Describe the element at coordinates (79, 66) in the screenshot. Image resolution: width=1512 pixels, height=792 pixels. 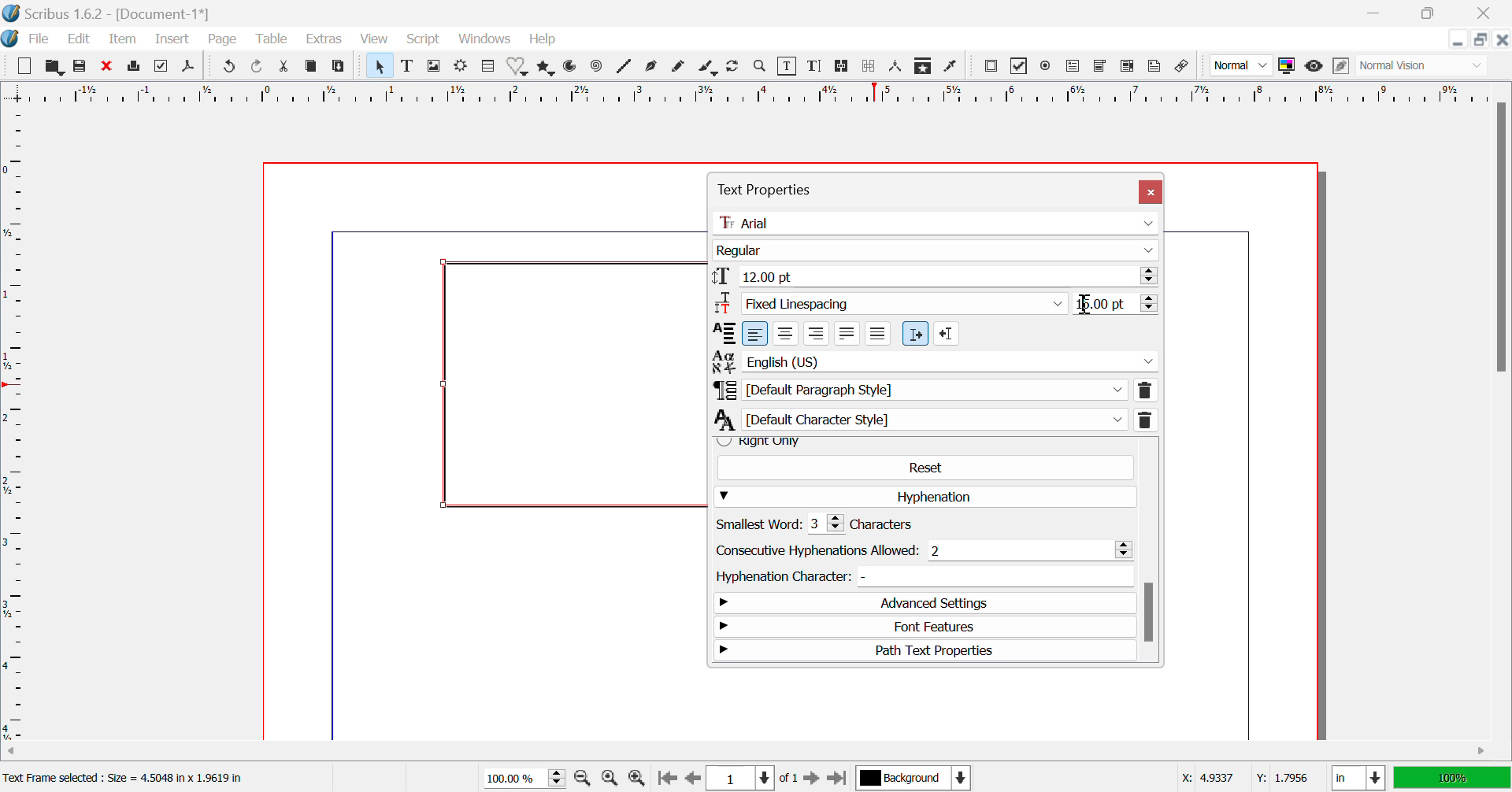
I see `Save` at that location.